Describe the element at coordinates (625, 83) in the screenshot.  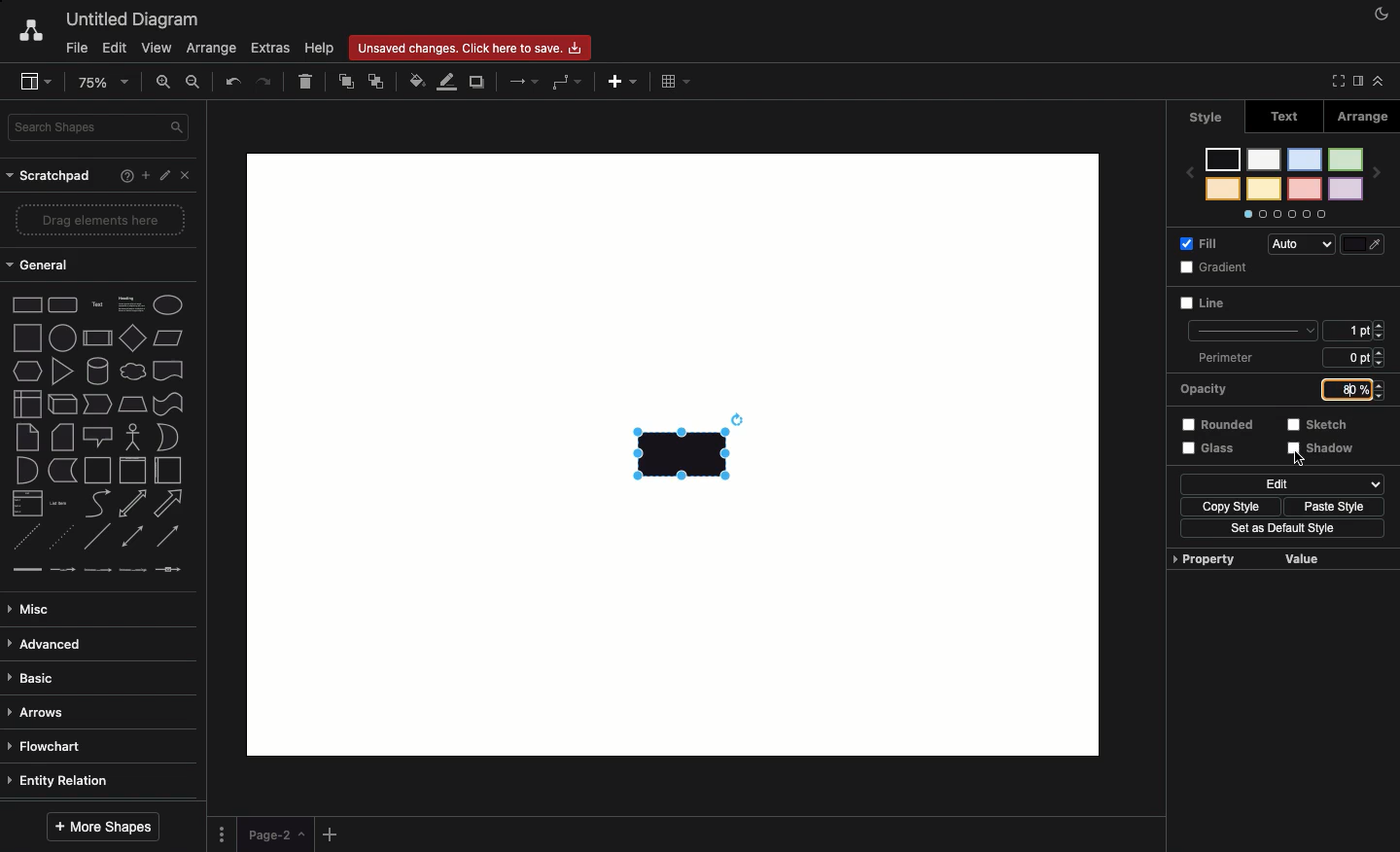
I see `Add` at that location.